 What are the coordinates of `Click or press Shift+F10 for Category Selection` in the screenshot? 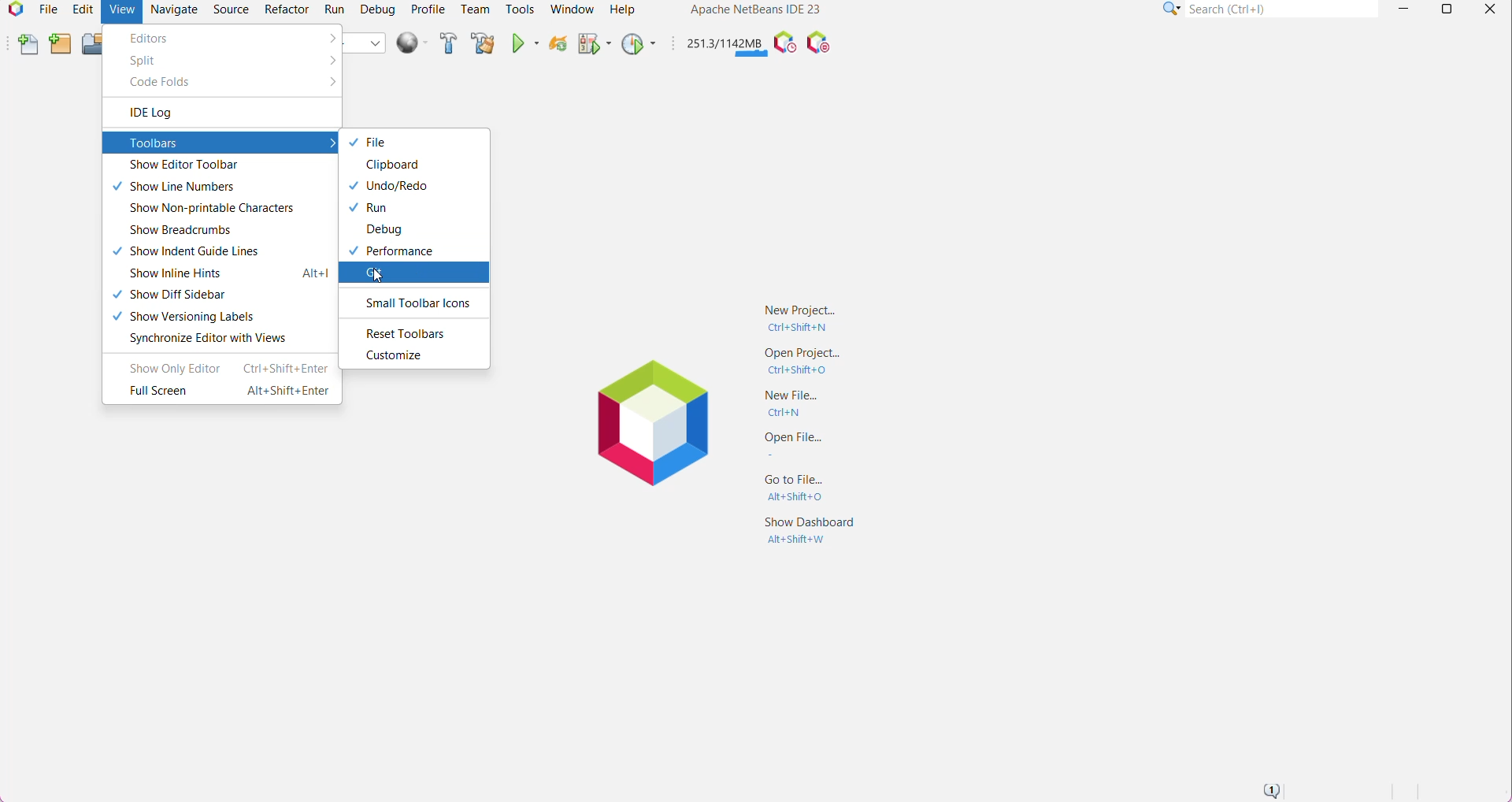 It's located at (1172, 9).